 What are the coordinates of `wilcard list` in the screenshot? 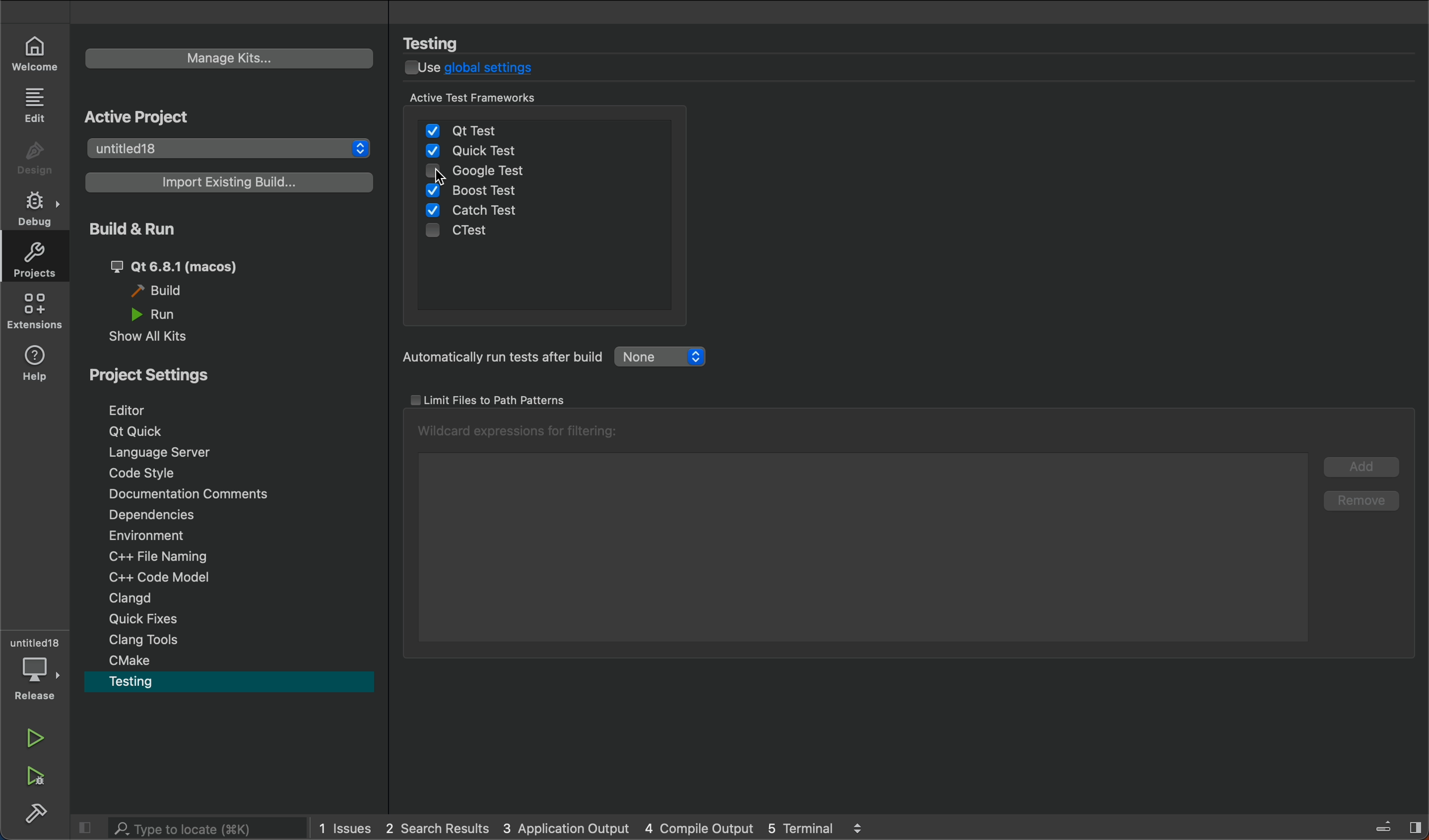 It's located at (862, 546).